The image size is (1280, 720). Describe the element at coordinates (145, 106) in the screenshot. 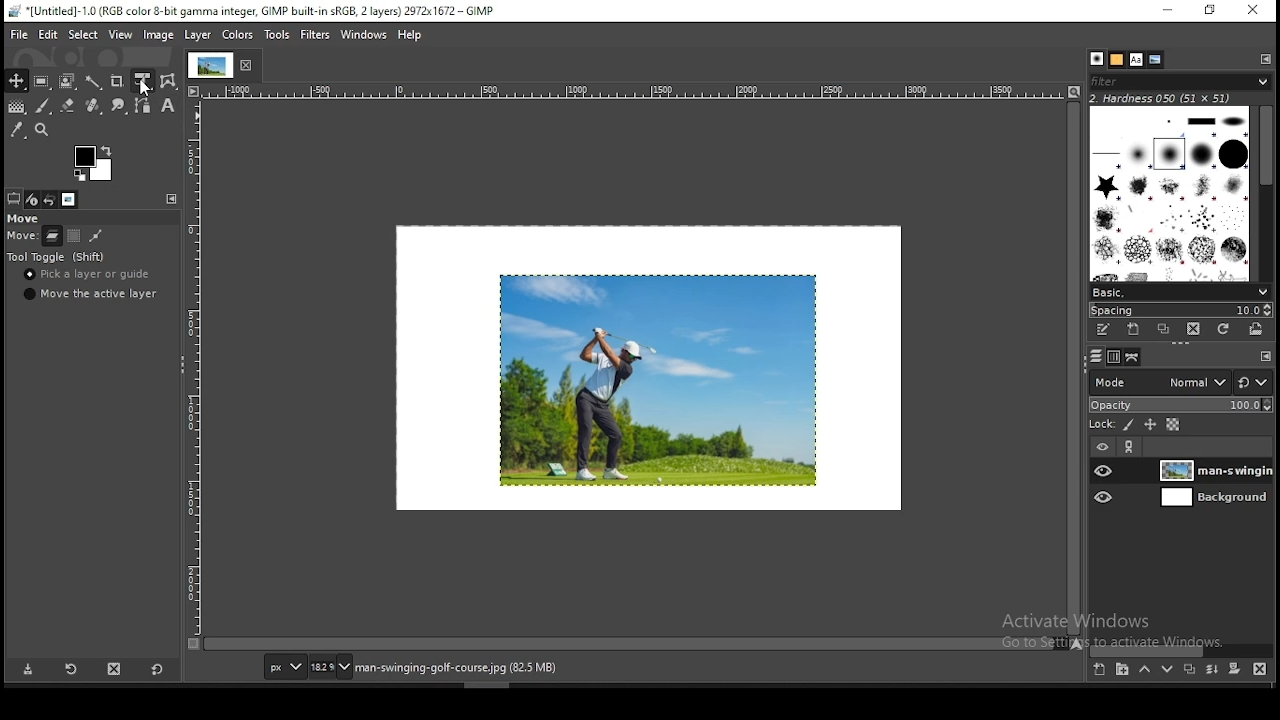

I see `paths tool` at that location.